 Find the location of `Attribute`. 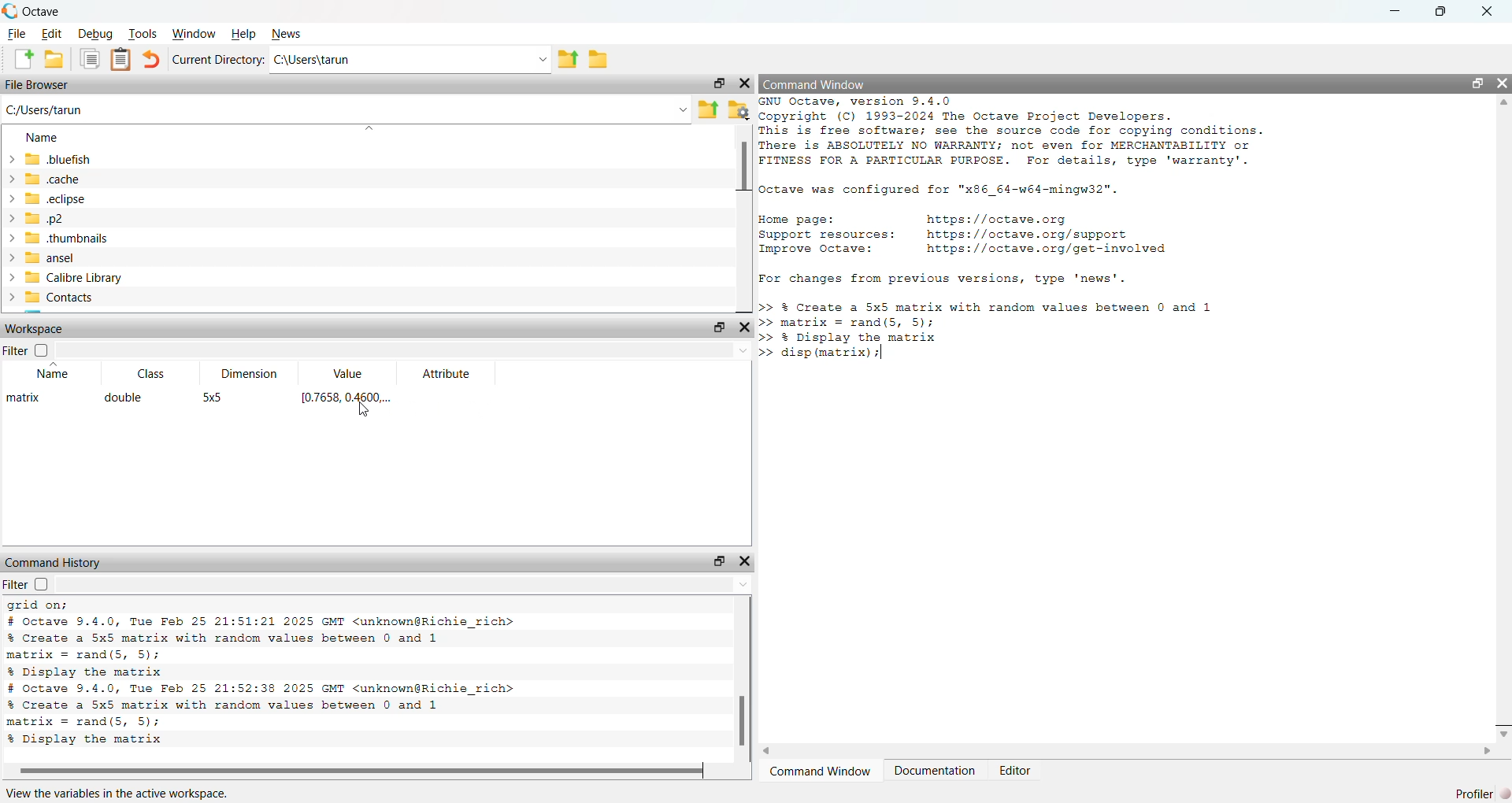

Attribute is located at coordinates (446, 373).